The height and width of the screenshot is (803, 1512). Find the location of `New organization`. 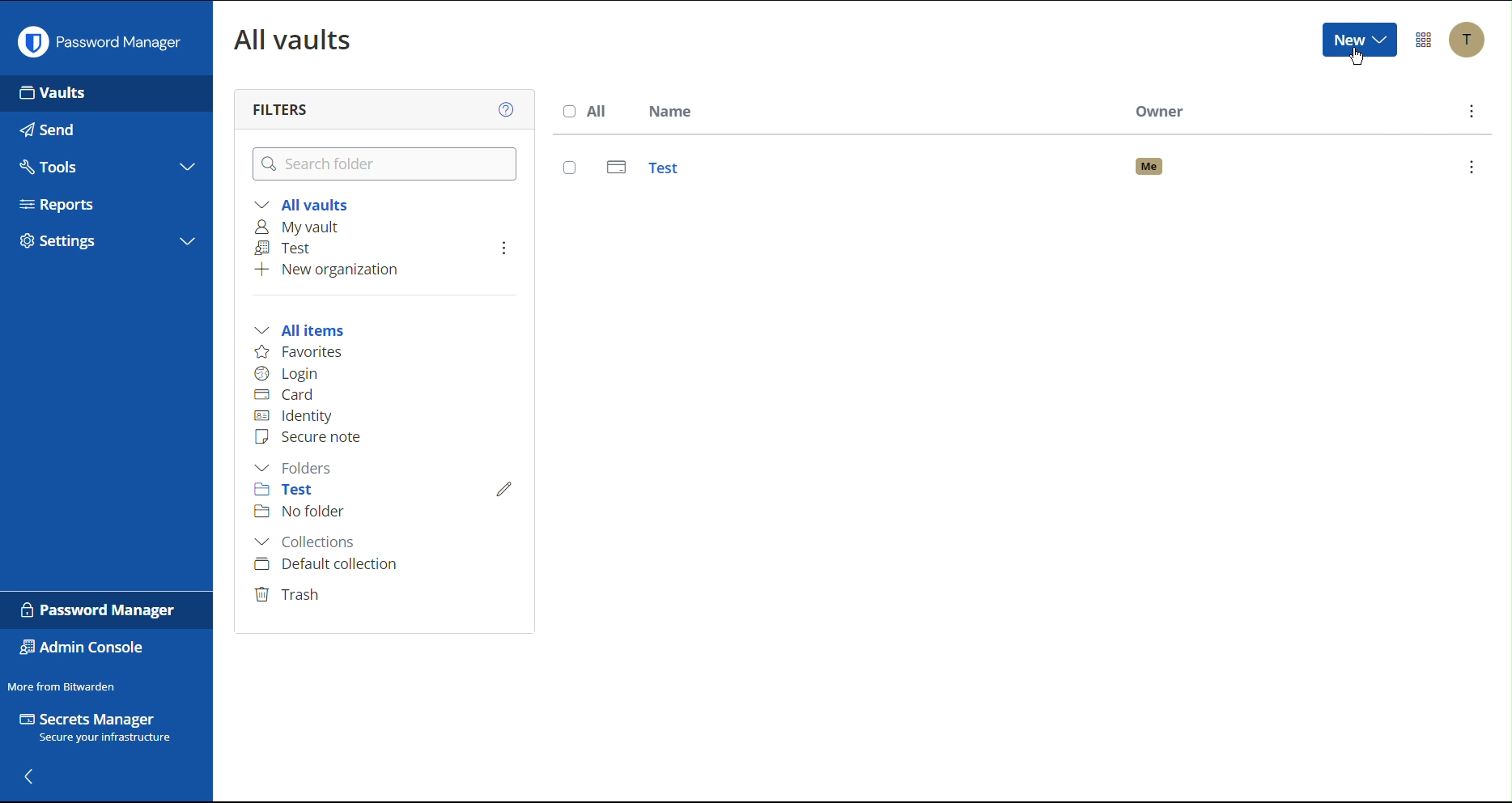

New organization is located at coordinates (323, 269).